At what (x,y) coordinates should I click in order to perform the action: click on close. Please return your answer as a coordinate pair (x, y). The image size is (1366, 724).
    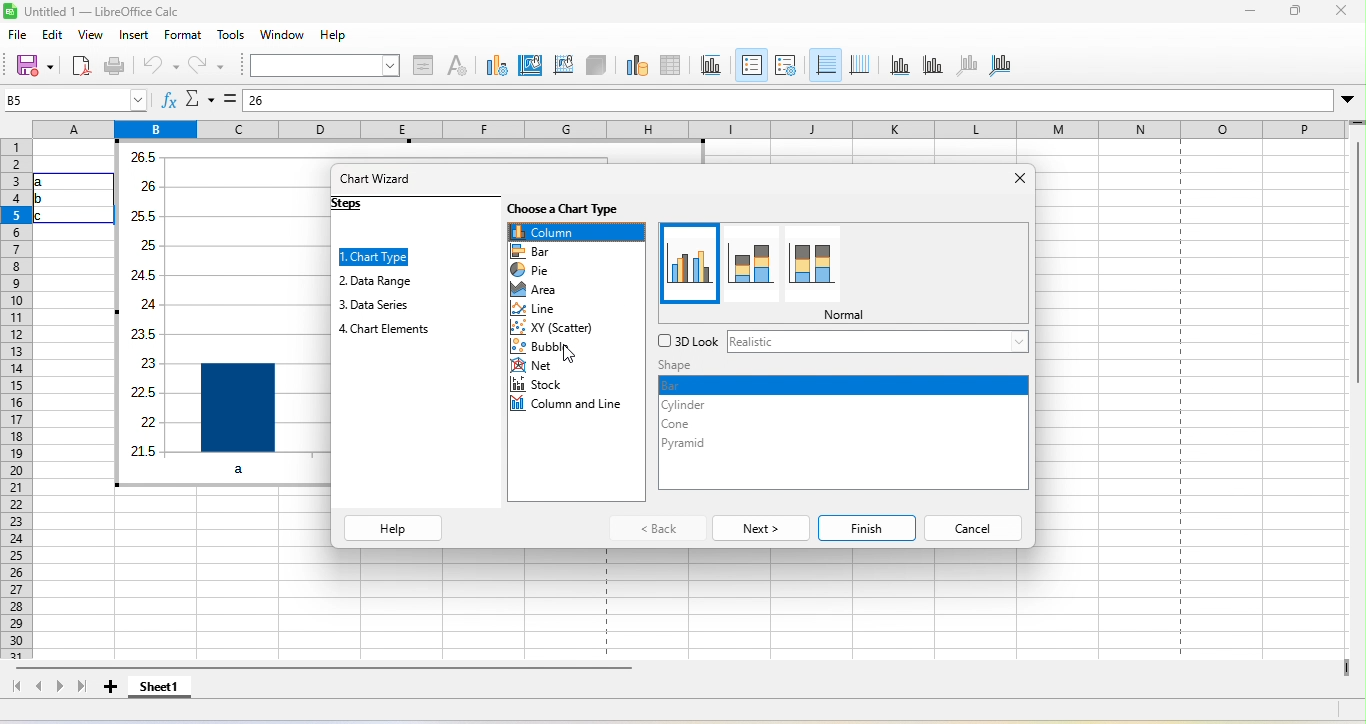
    Looking at the image, I should click on (1017, 187).